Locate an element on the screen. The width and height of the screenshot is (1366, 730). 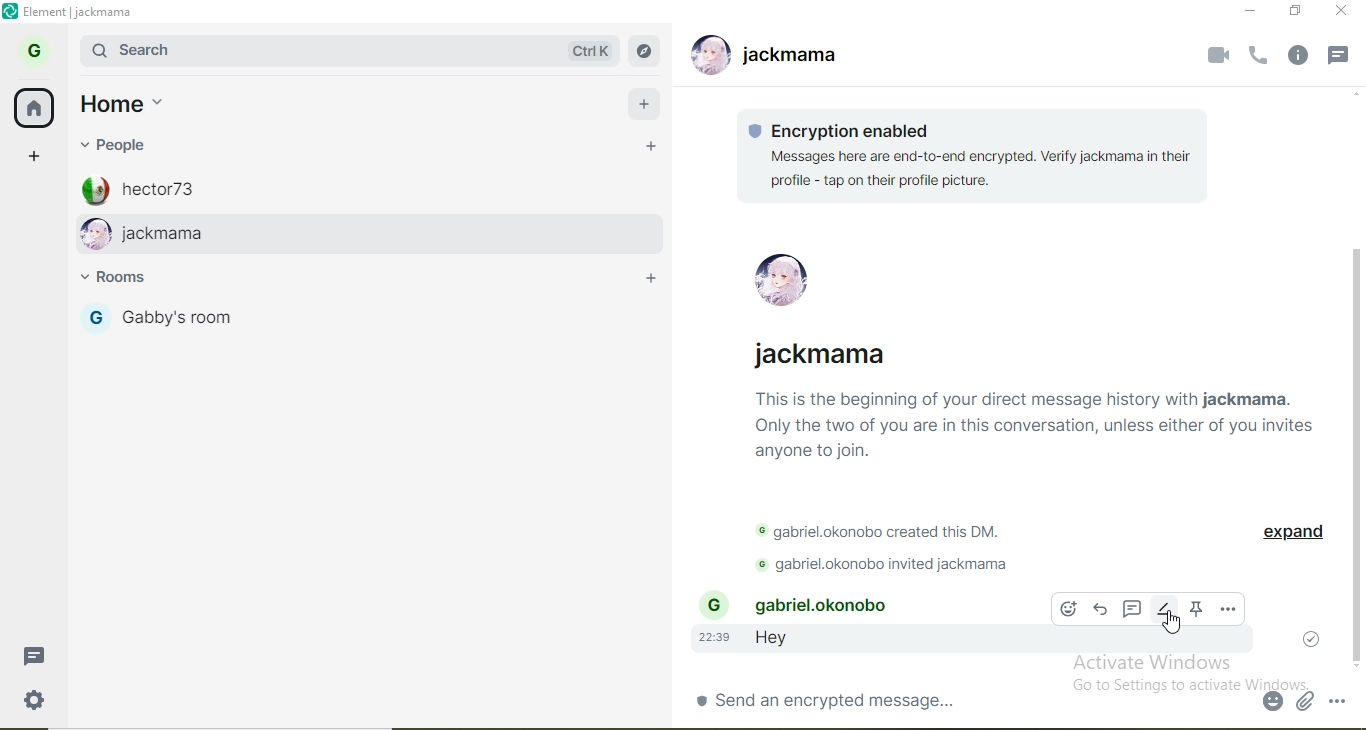
forward is located at coordinates (1101, 610).